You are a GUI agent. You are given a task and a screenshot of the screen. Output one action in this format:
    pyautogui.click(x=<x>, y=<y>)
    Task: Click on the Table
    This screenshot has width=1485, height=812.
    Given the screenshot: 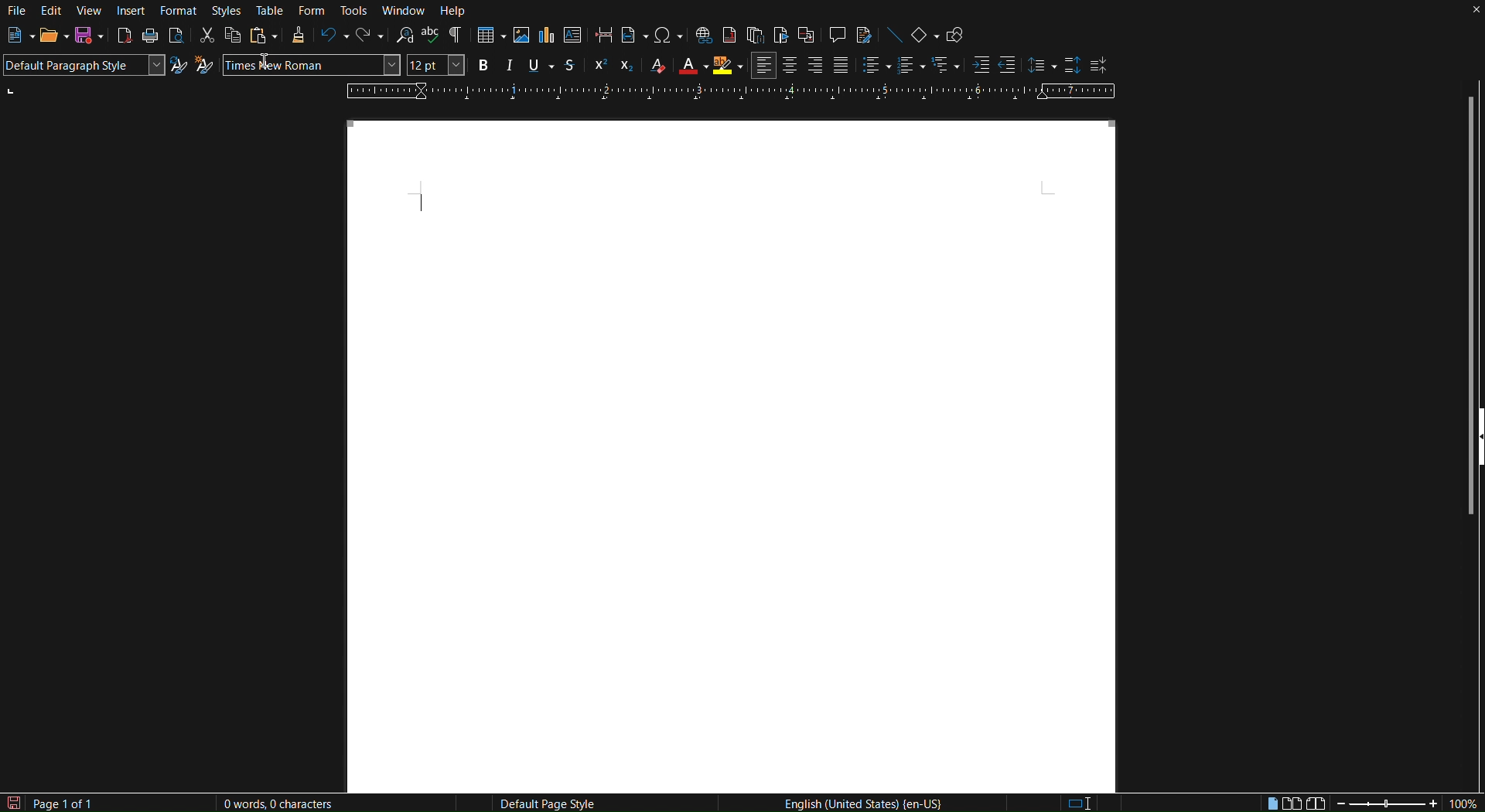 What is the action you would take?
    pyautogui.click(x=271, y=11)
    